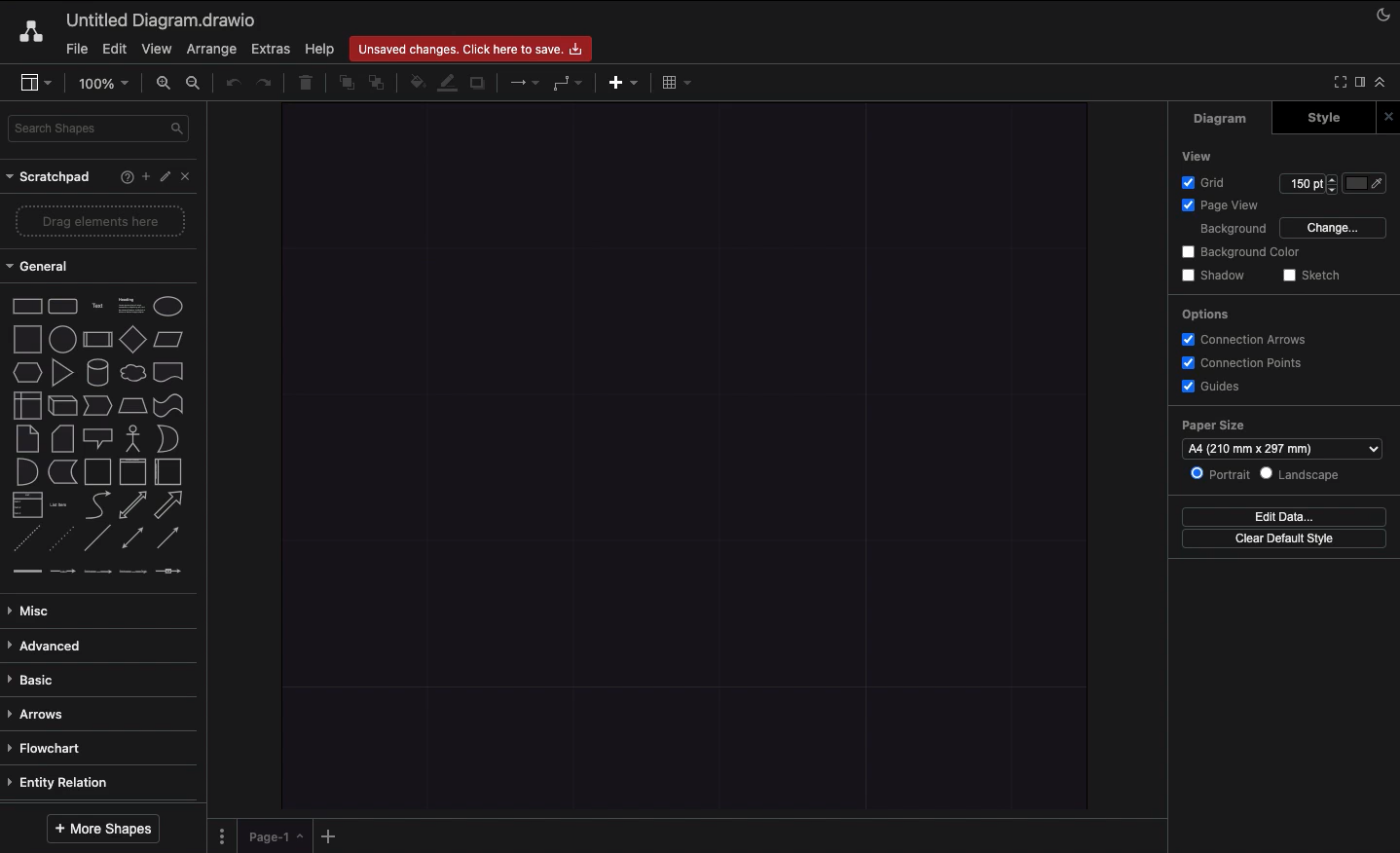 This screenshot has height=853, width=1400. What do you see at coordinates (1205, 184) in the screenshot?
I see `Grid` at bounding box center [1205, 184].